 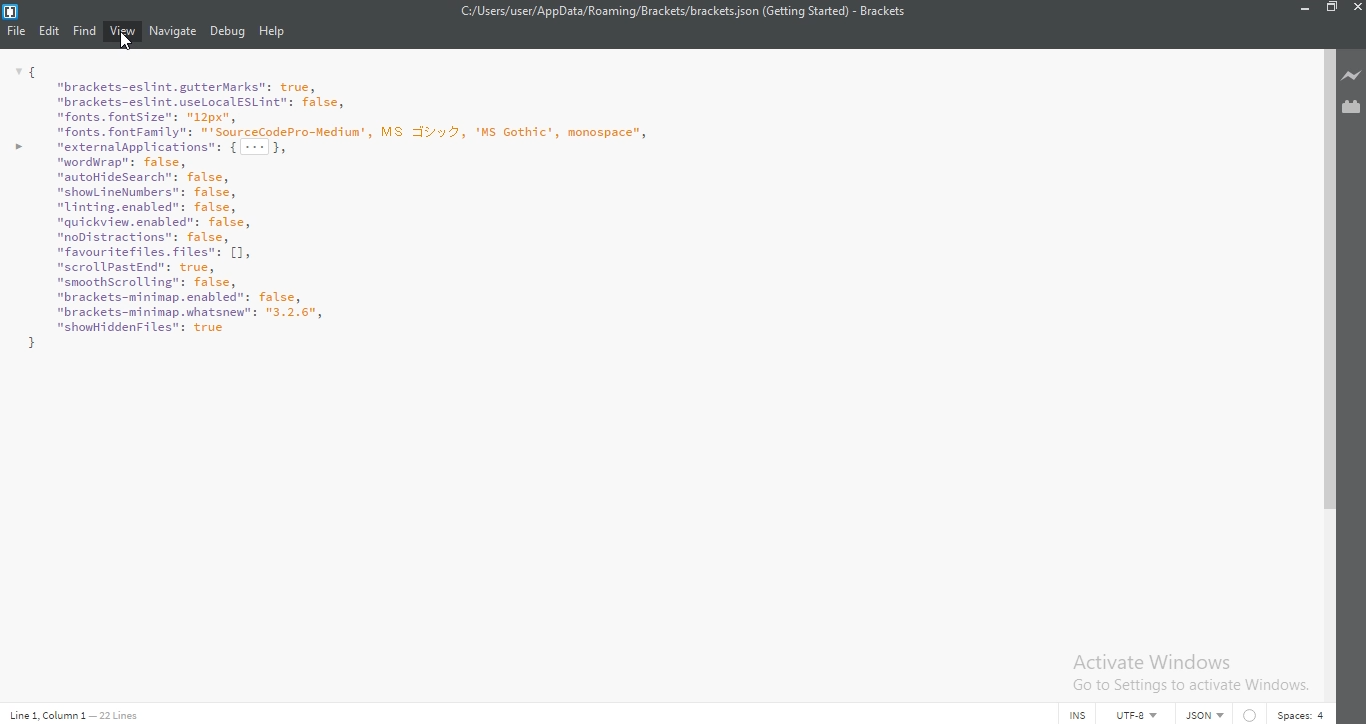 I want to click on cursor, so click(x=128, y=43).